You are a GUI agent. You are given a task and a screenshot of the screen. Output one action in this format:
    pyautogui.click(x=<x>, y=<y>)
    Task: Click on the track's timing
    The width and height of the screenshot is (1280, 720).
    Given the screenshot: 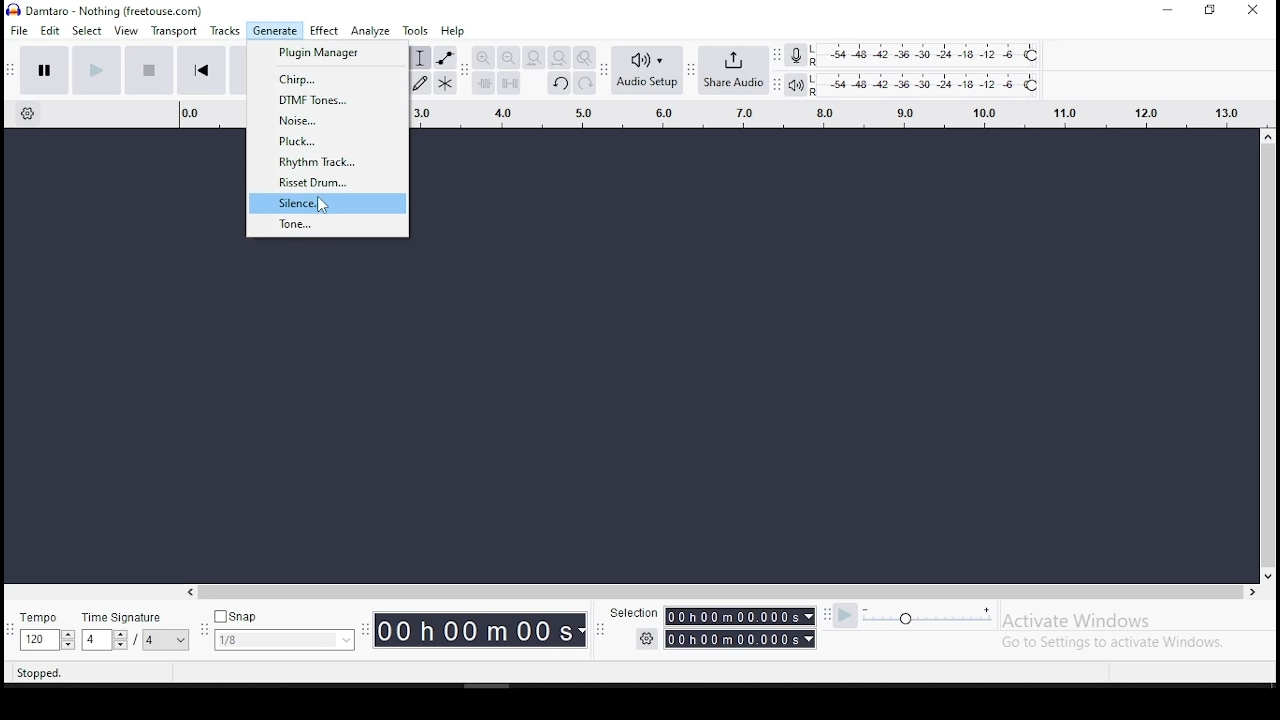 What is the action you would take?
    pyautogui.click(x=216, y=116)
    